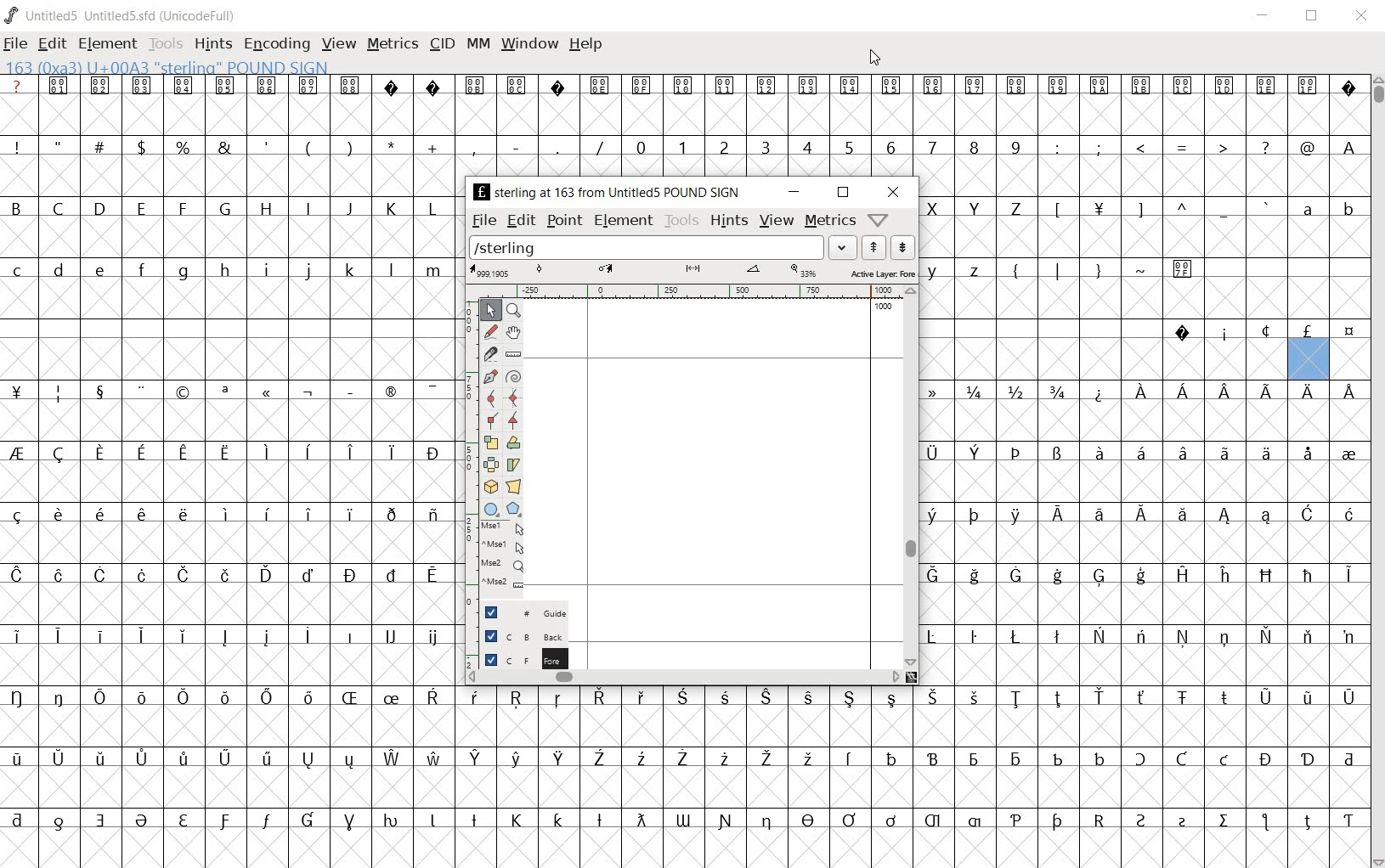  Describe the element at coordinates (21, 454) in the screenshot. I see `Symbol` at that location.